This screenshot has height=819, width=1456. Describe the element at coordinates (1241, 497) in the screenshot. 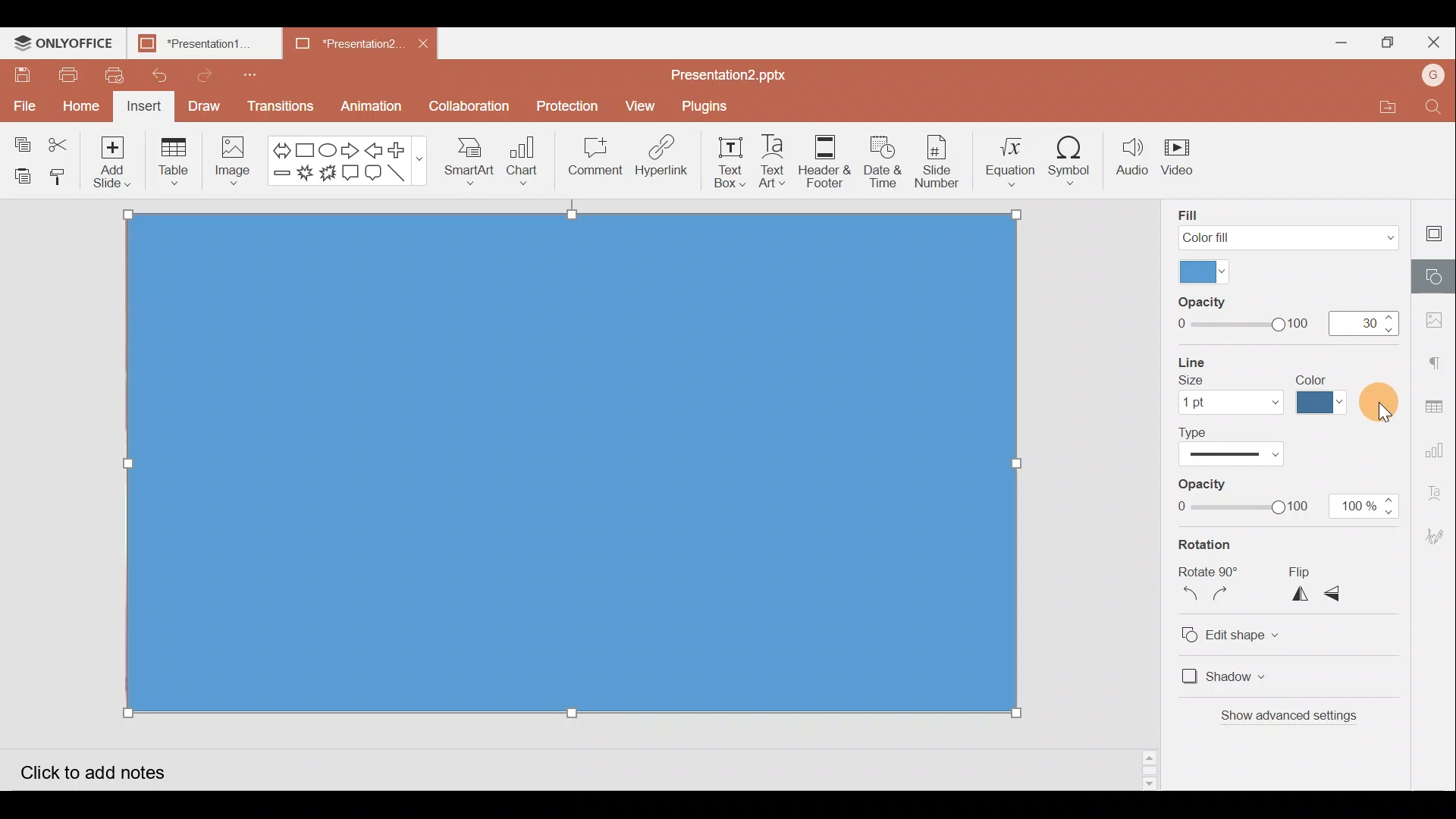

I see `Line Opacity slide bar` at that location.